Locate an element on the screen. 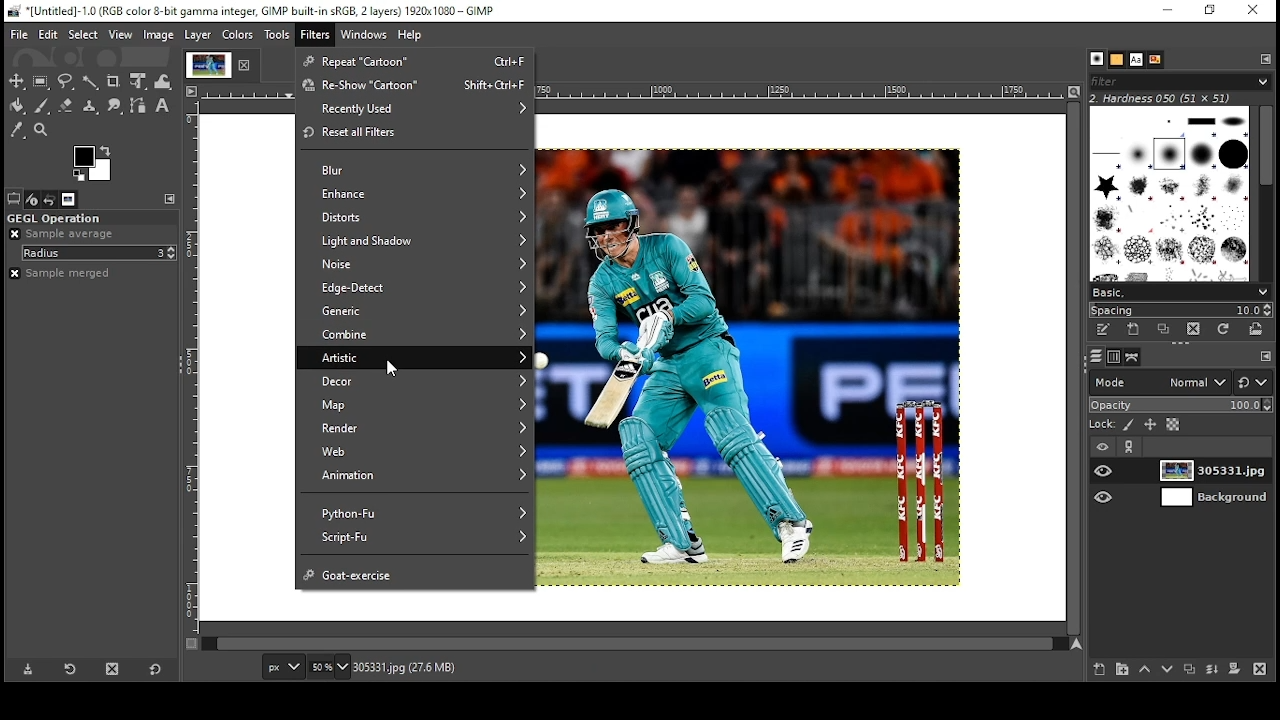 This screenshot has height=720, width=1280. free selection tool is located at coordinates (67, 81).